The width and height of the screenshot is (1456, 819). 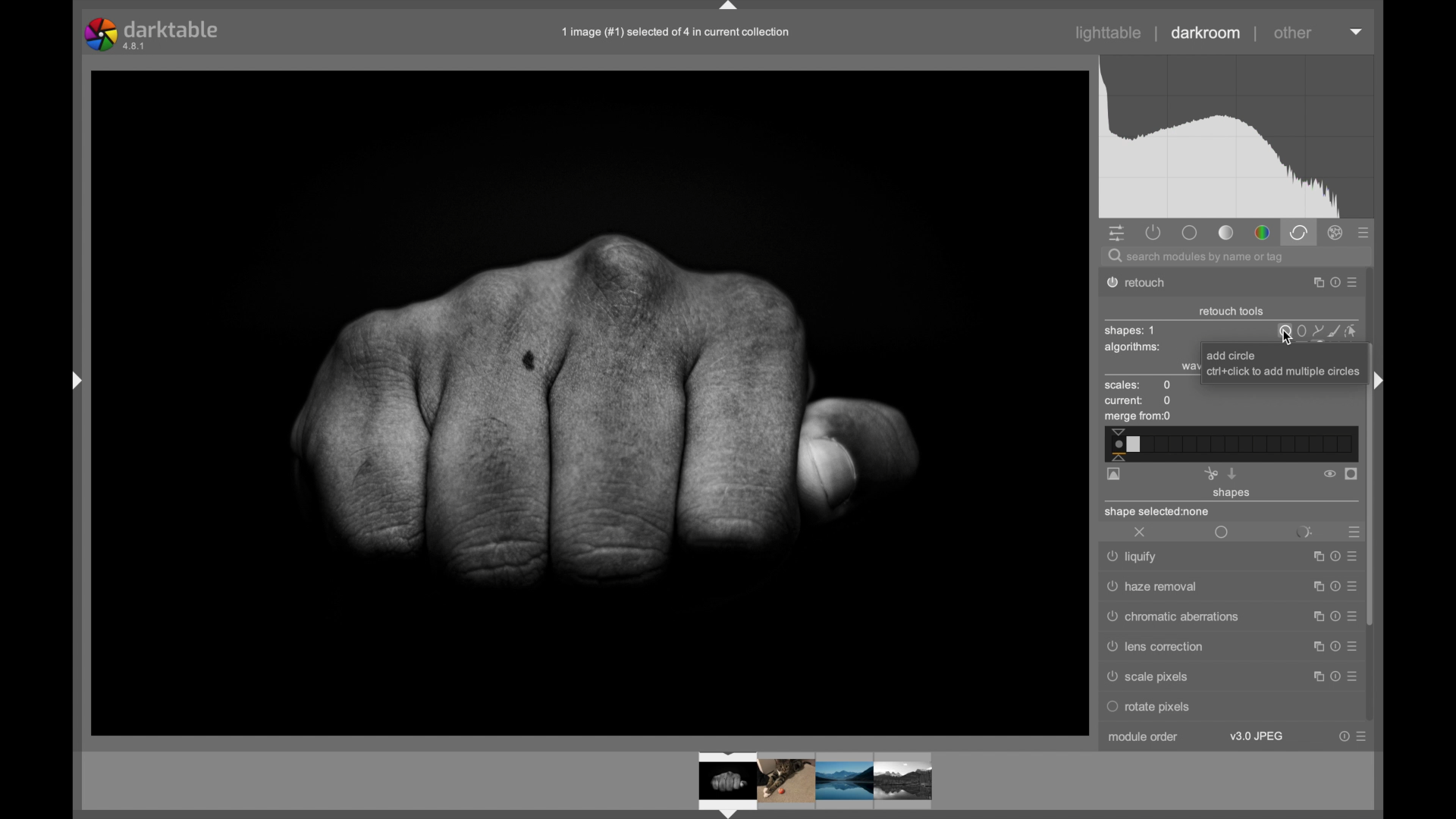 I want to click on help, so click(x=1332, y=617).